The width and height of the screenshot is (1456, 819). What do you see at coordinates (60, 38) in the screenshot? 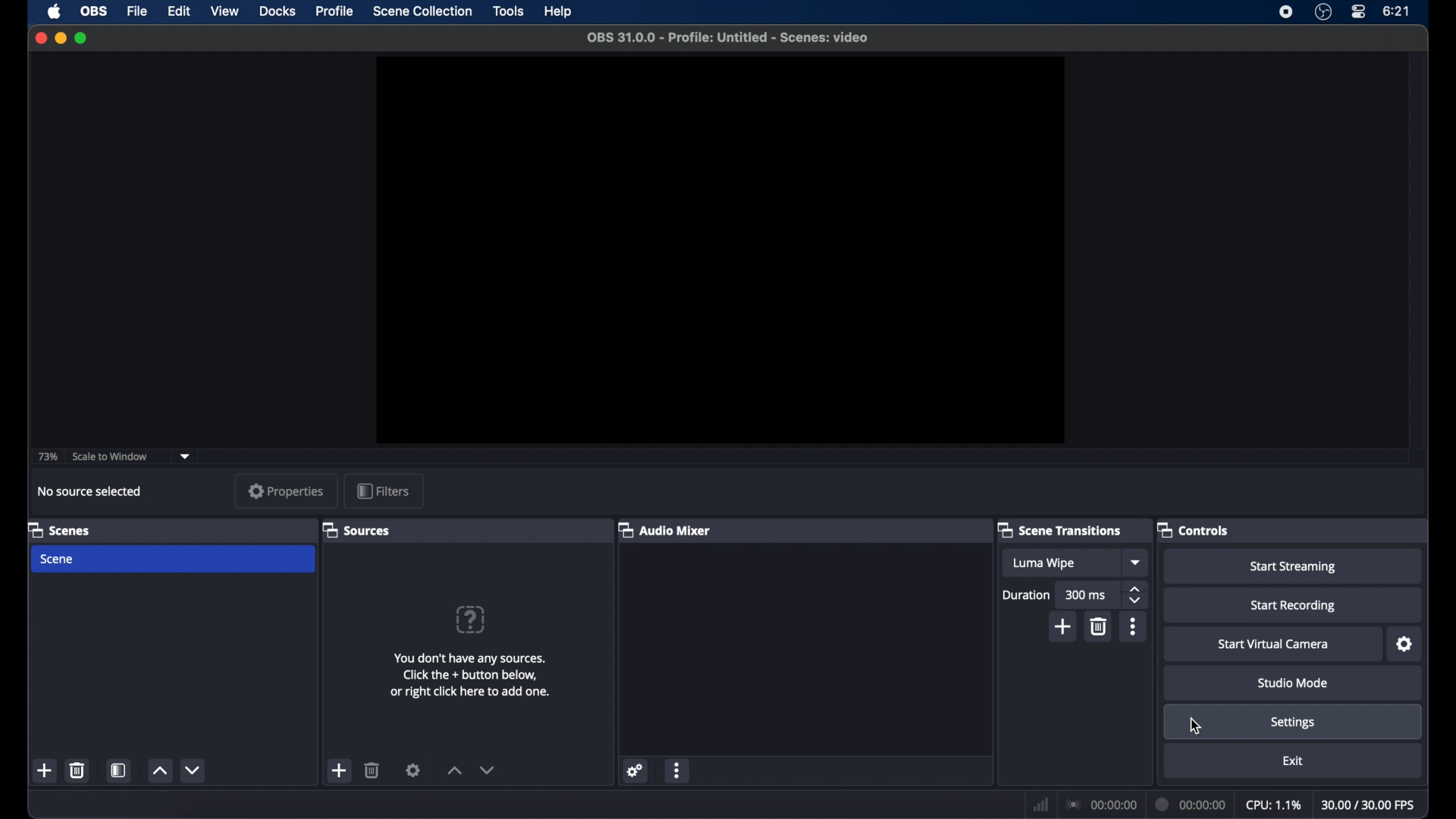
I see `minimize` at bounding box center [60, 38].